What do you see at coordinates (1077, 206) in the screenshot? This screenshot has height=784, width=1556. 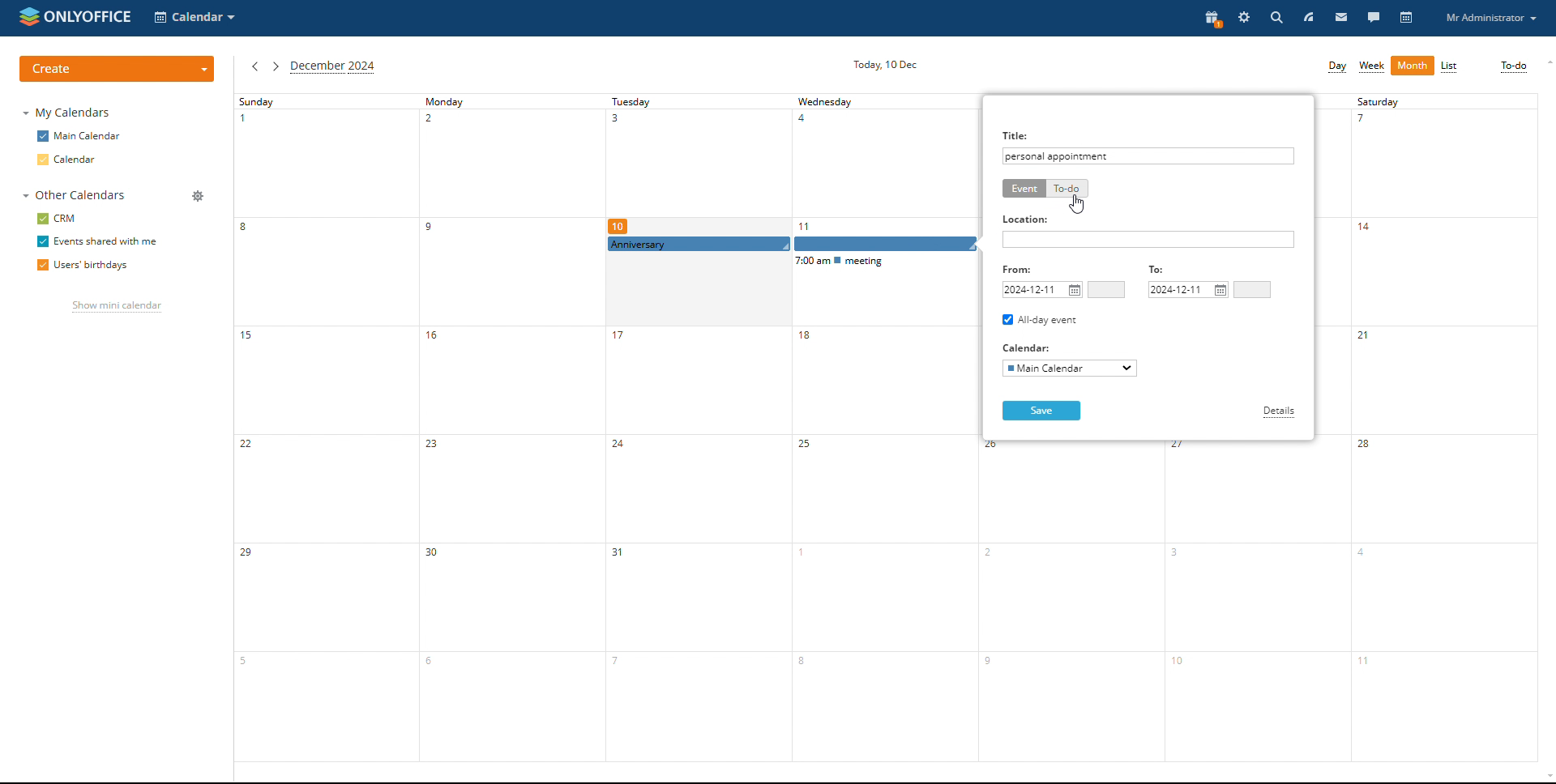 I see `cursor` at bounding box center [1077, 206].